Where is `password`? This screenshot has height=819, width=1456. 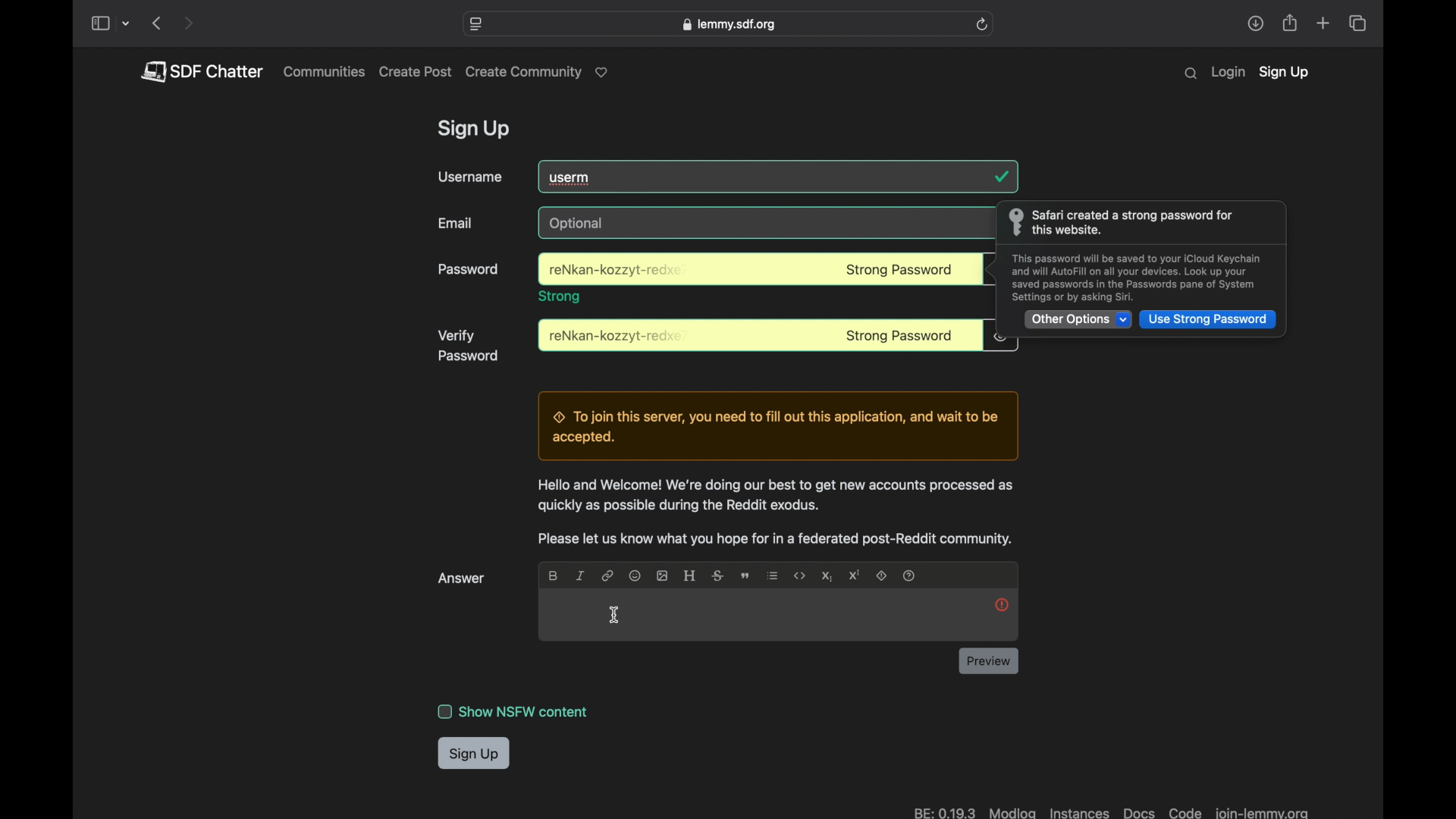 password is located at coordinates (469, 270).